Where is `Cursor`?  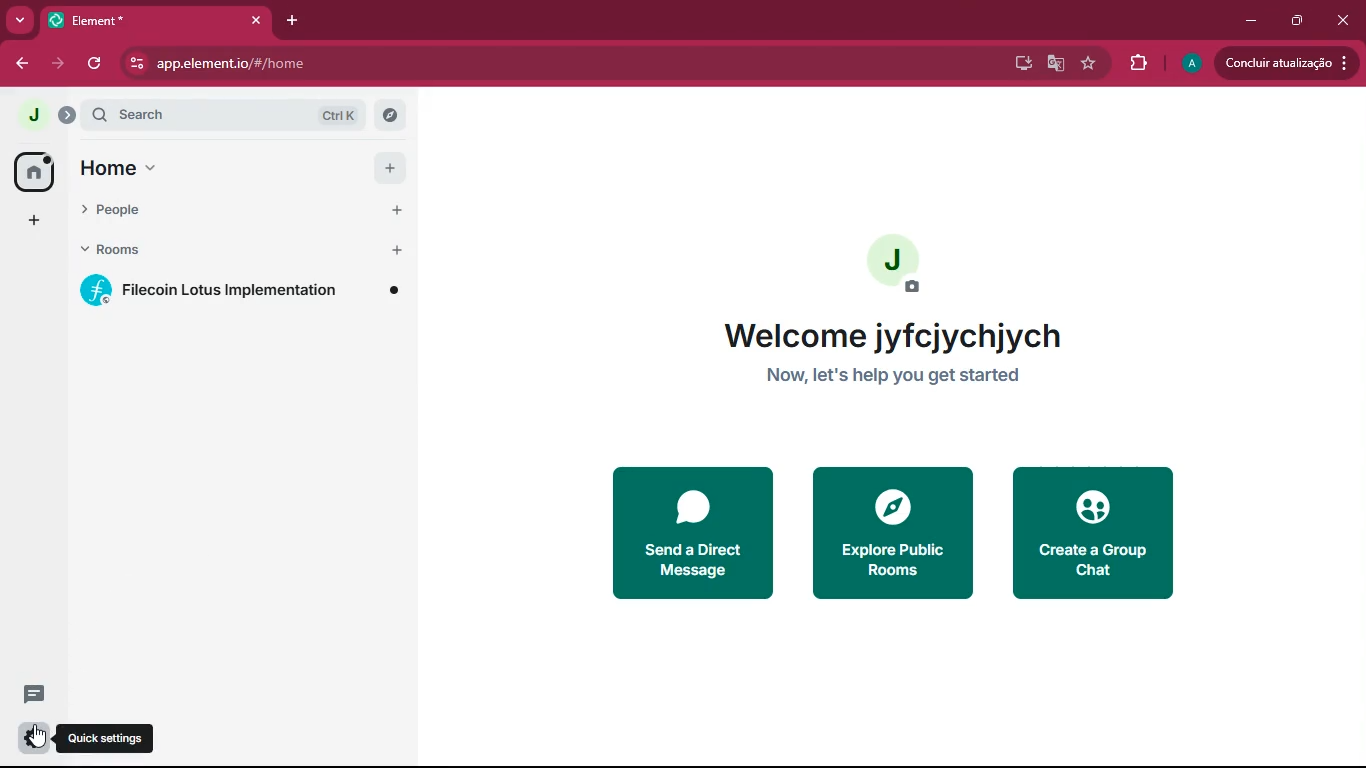
Cursor is located at coordinates (41, 738).